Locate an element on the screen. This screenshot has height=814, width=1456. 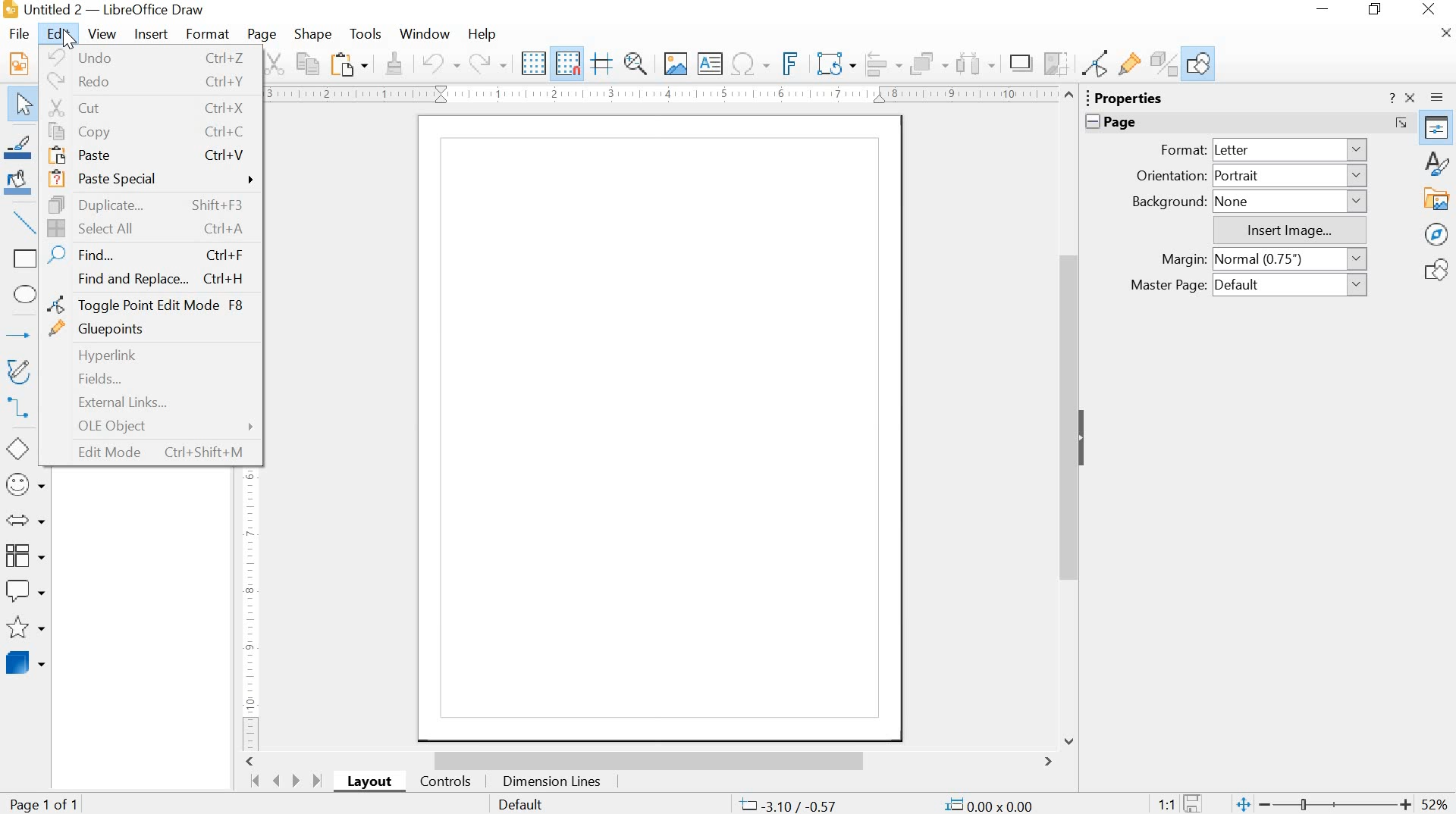
Curves and Polygons (double click for multi-selection) is located at coordinates (27, 371).